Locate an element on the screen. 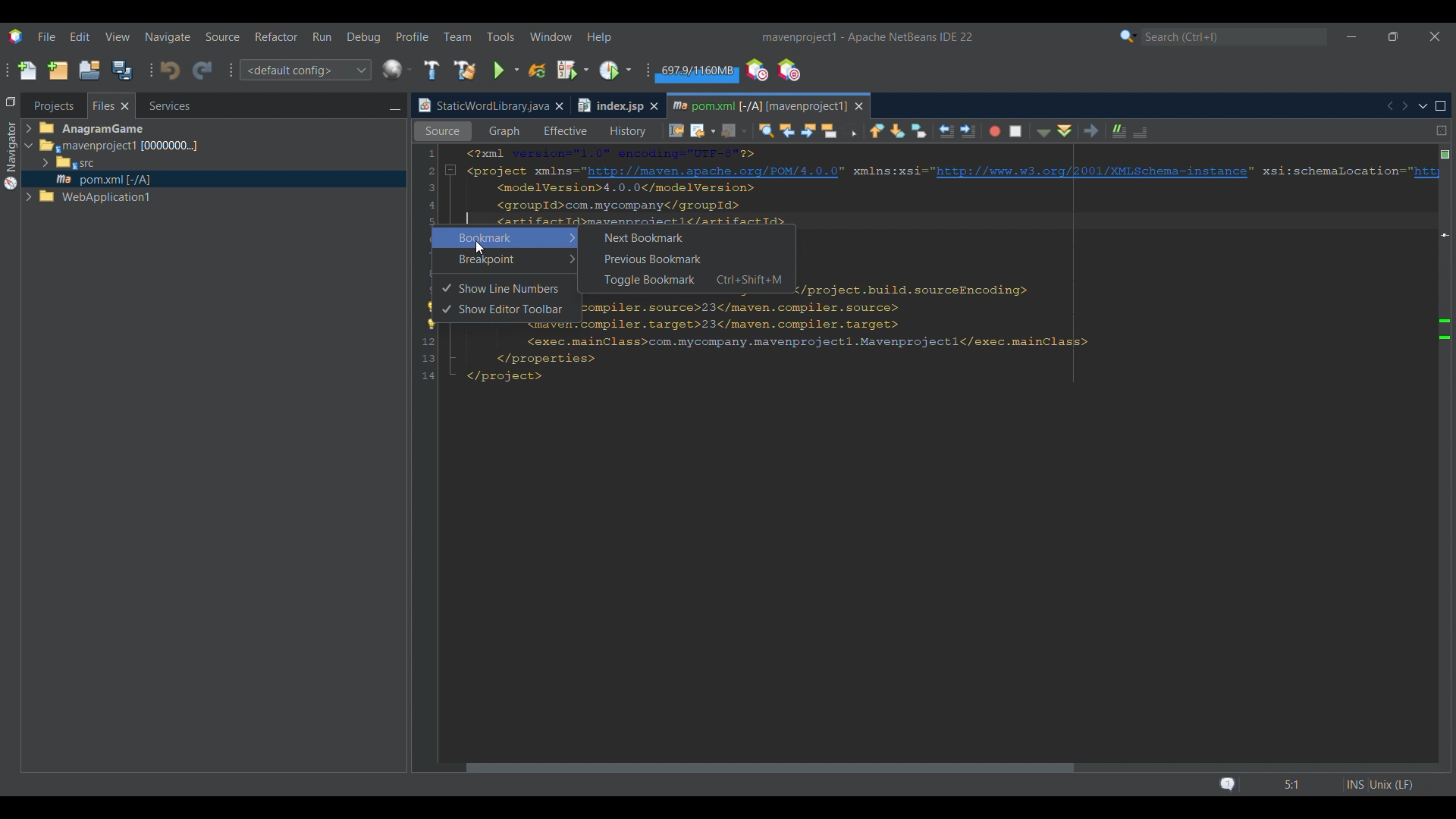 This screenshot has height=819, width=1456. Selected file highlighted is located at coordinates (214, 179).